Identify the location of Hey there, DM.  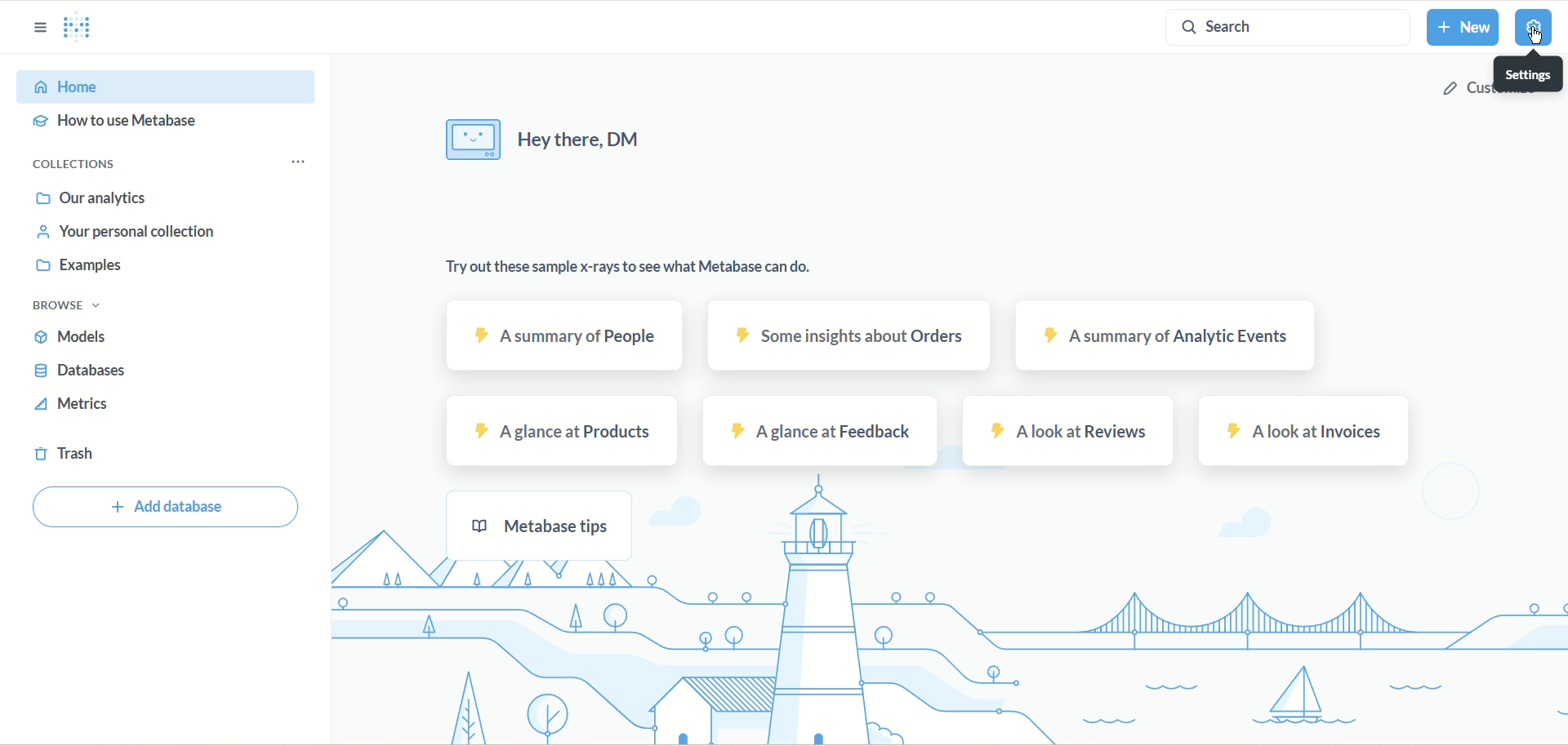
(636, 138).